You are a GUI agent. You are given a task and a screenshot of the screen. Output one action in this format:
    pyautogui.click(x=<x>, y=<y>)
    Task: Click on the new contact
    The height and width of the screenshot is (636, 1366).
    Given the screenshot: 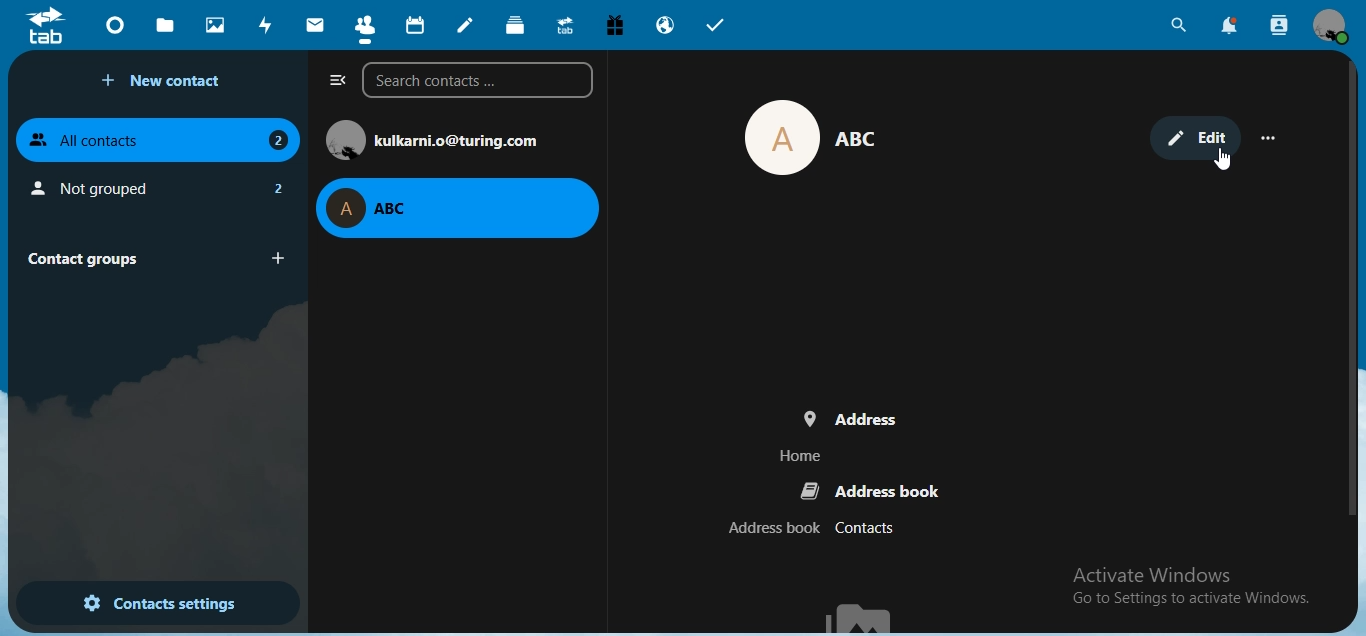 What is the action you would take?
    pyautogui.click(x=165, y=81)
    